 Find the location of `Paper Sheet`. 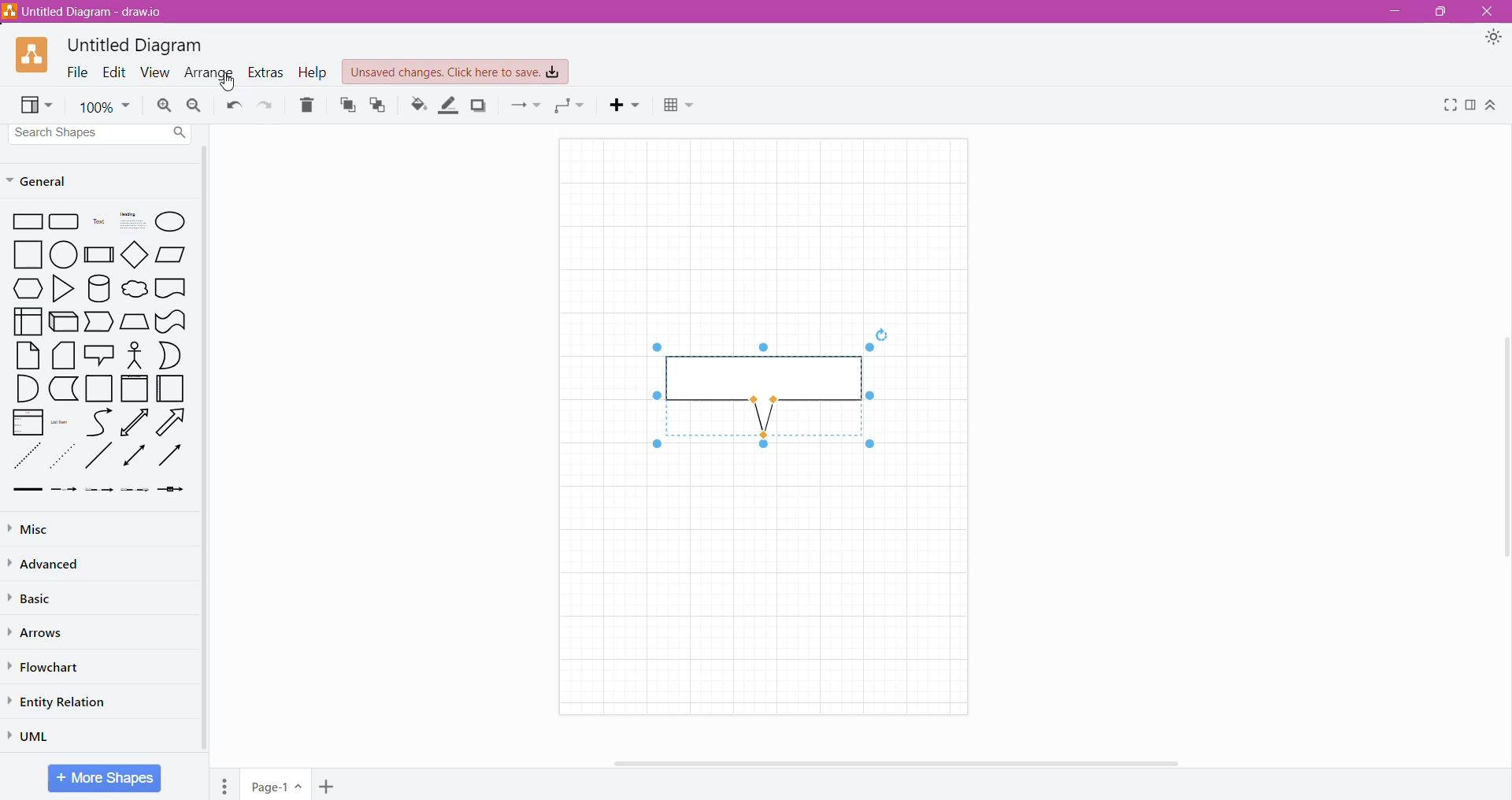

Paper Sheet is located at coordinates (28, 355).